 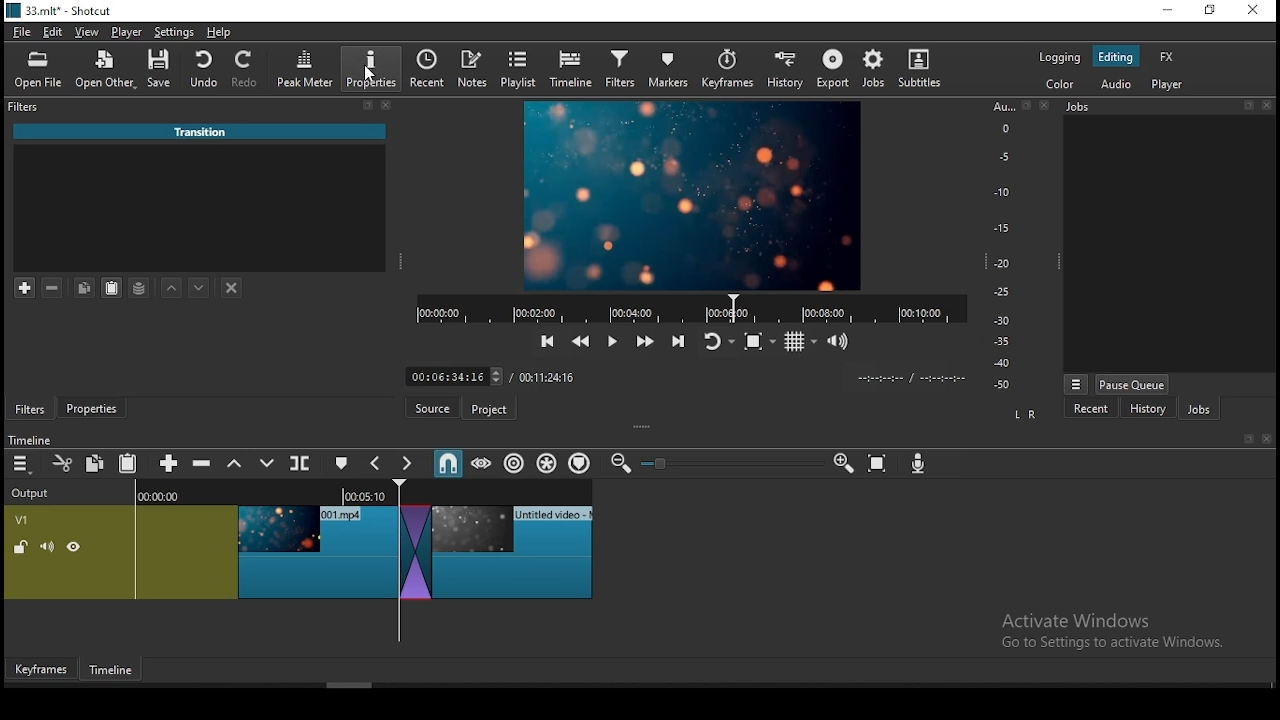 What do you see at coordinates (33, 439) in the screenshot?
I see `timeline` at bounding box center [33, 439].